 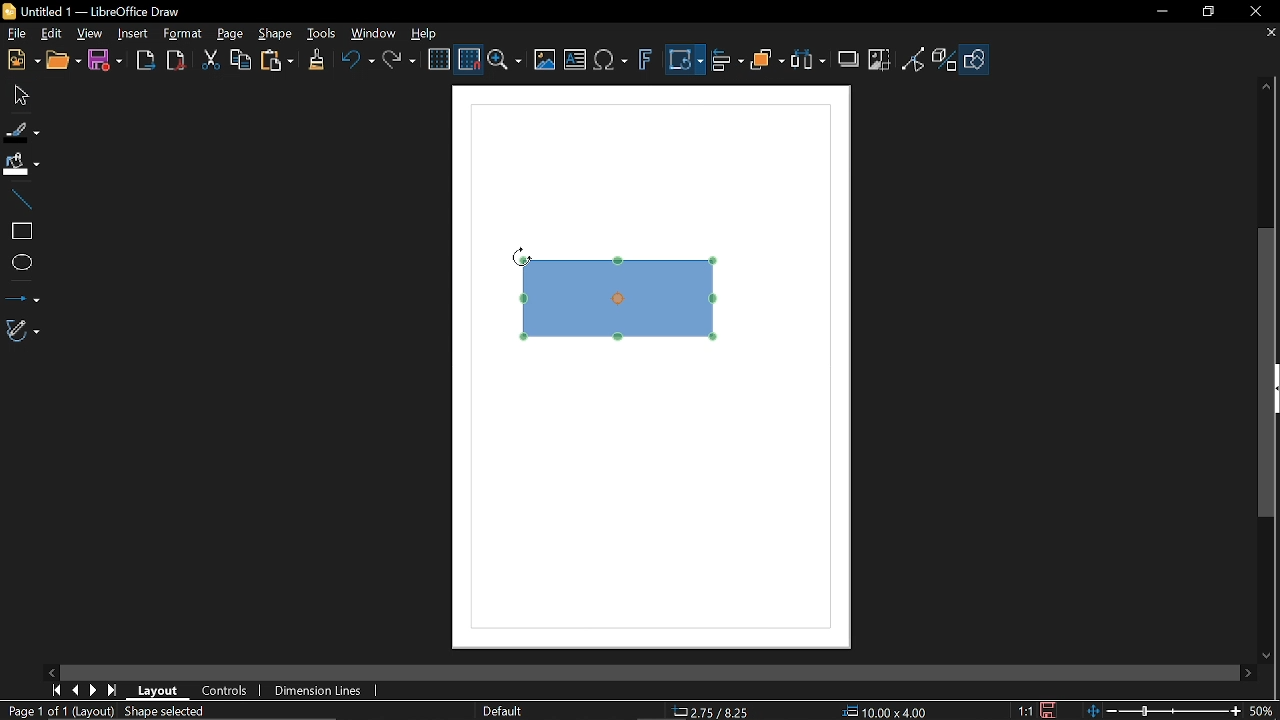 I want to click on line color, so click(x=21, y=128).